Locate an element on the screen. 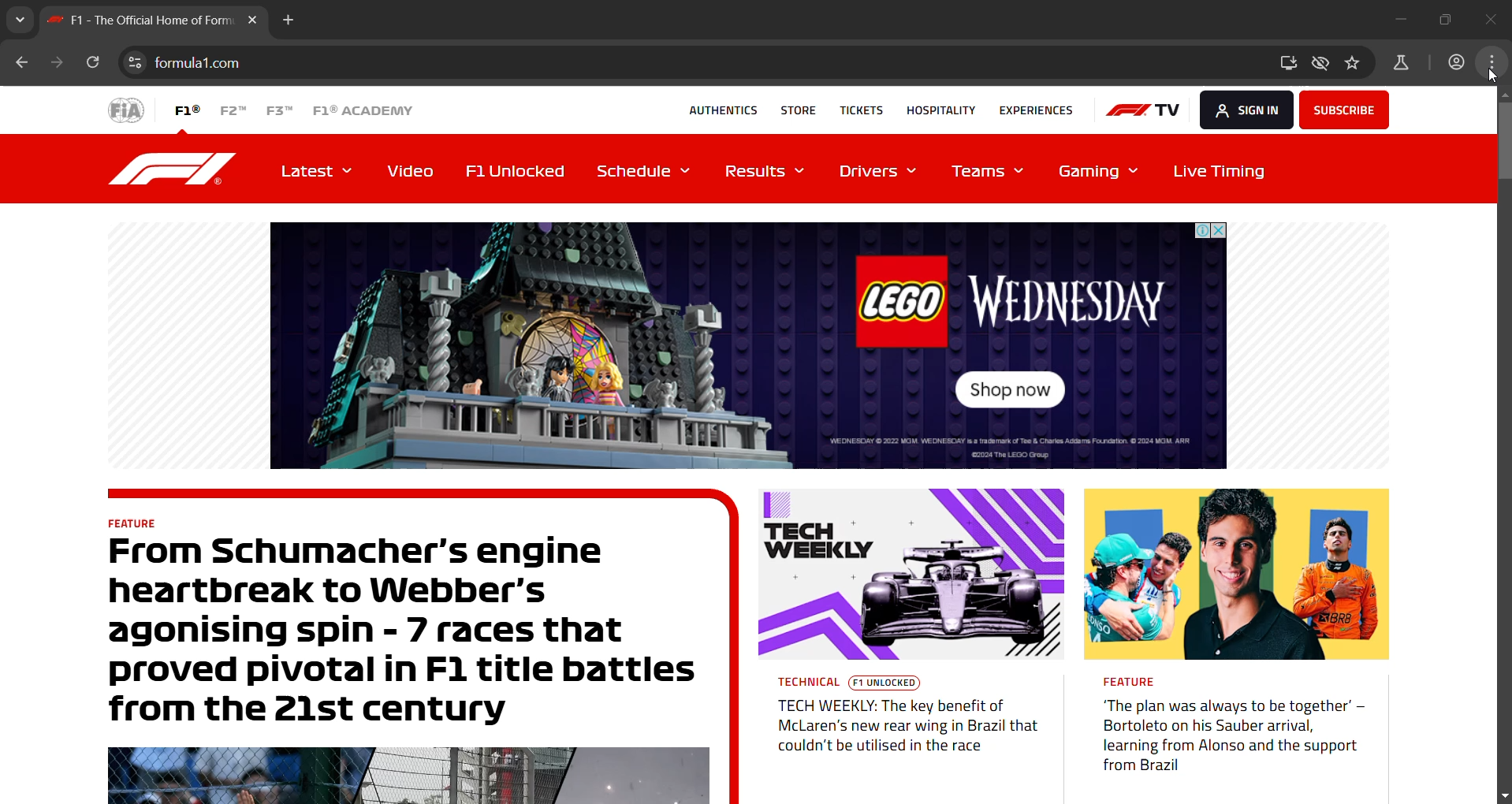 This screenshot has width=1512, height=804. Video is located at coordinates (404, 169).